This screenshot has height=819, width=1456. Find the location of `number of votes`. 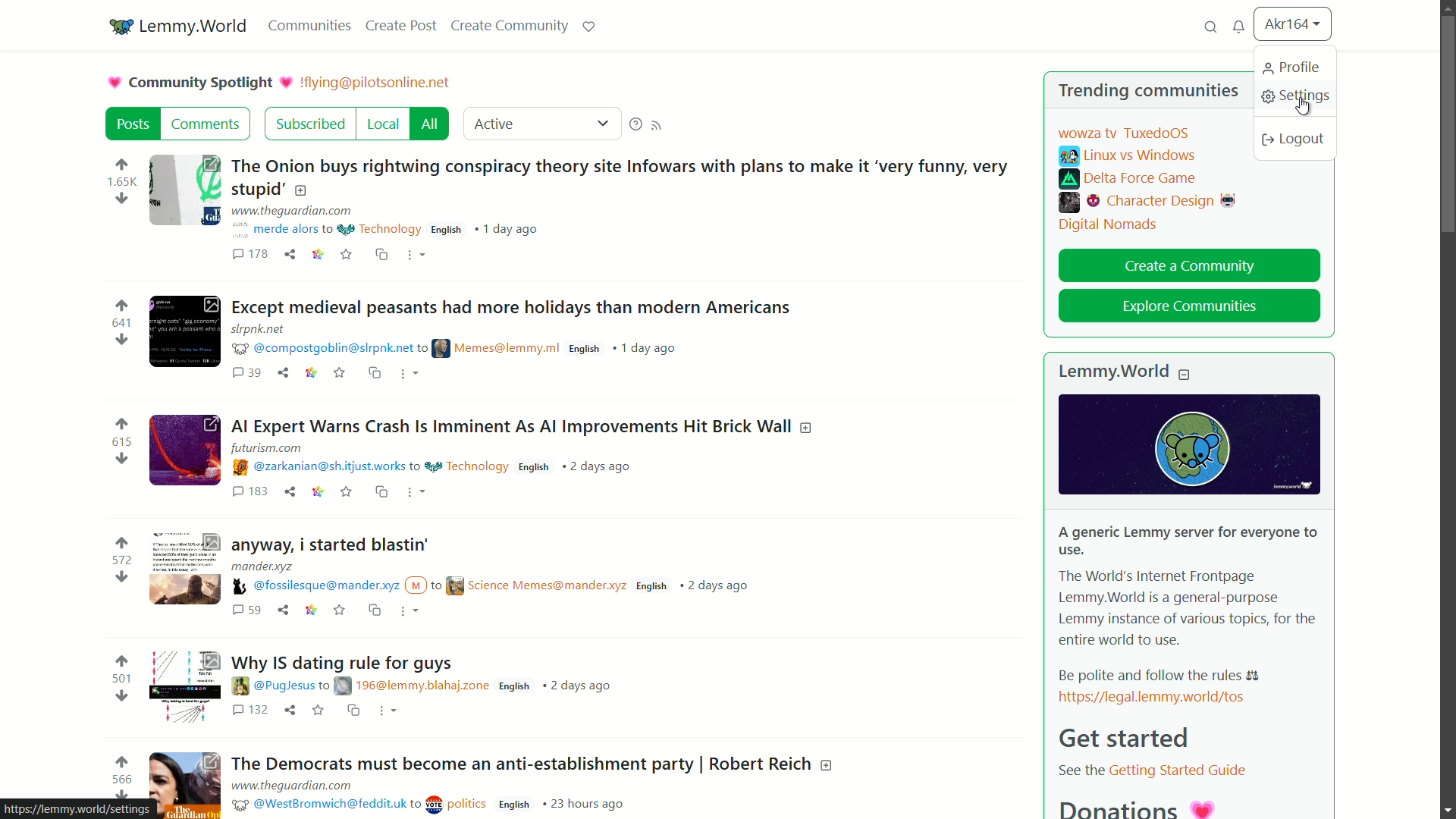

number of votes is located at coordinates (122, 679).